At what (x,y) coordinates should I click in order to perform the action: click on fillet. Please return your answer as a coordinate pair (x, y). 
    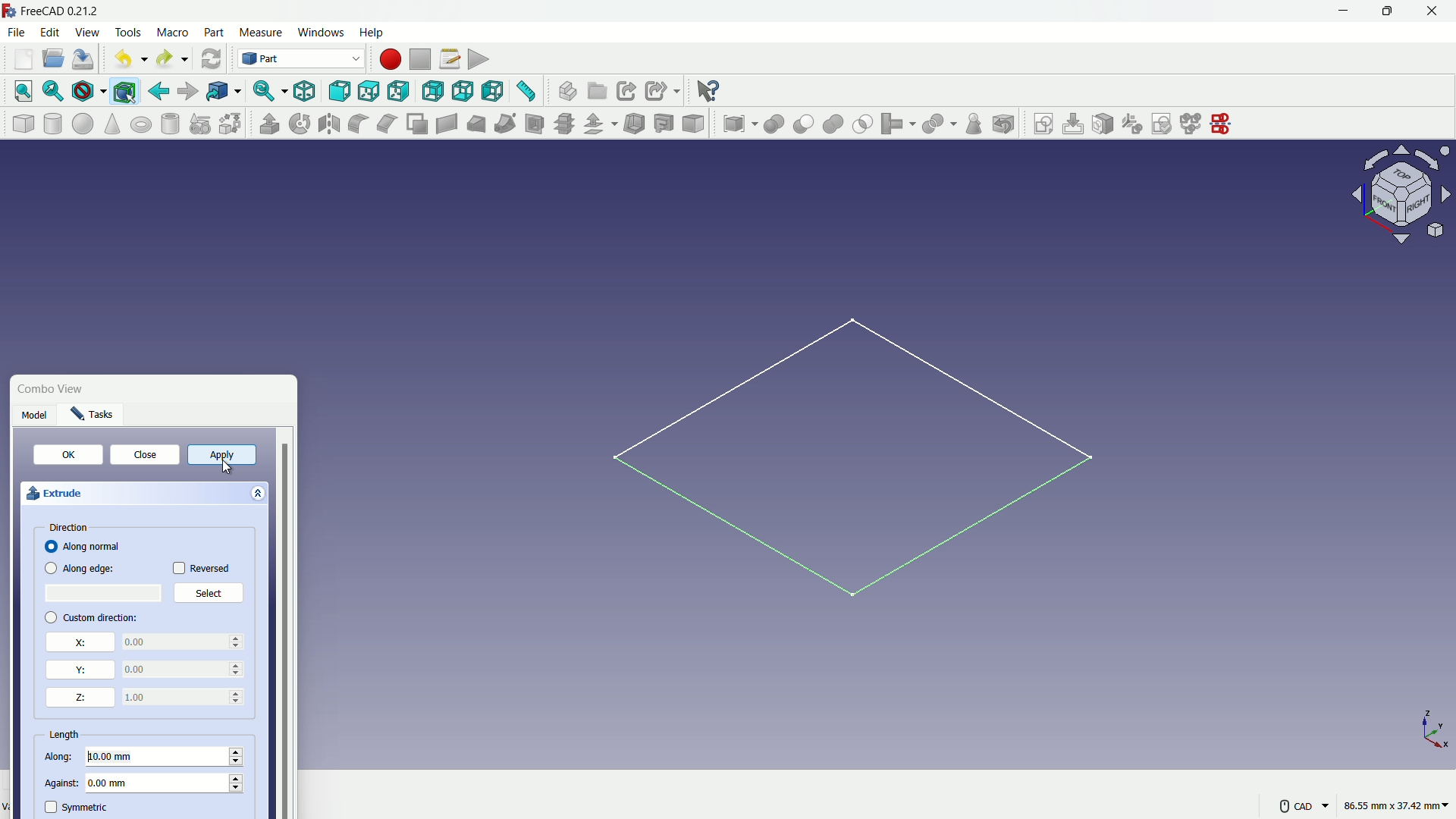
    Looking at the image, I should click on (356, 123).